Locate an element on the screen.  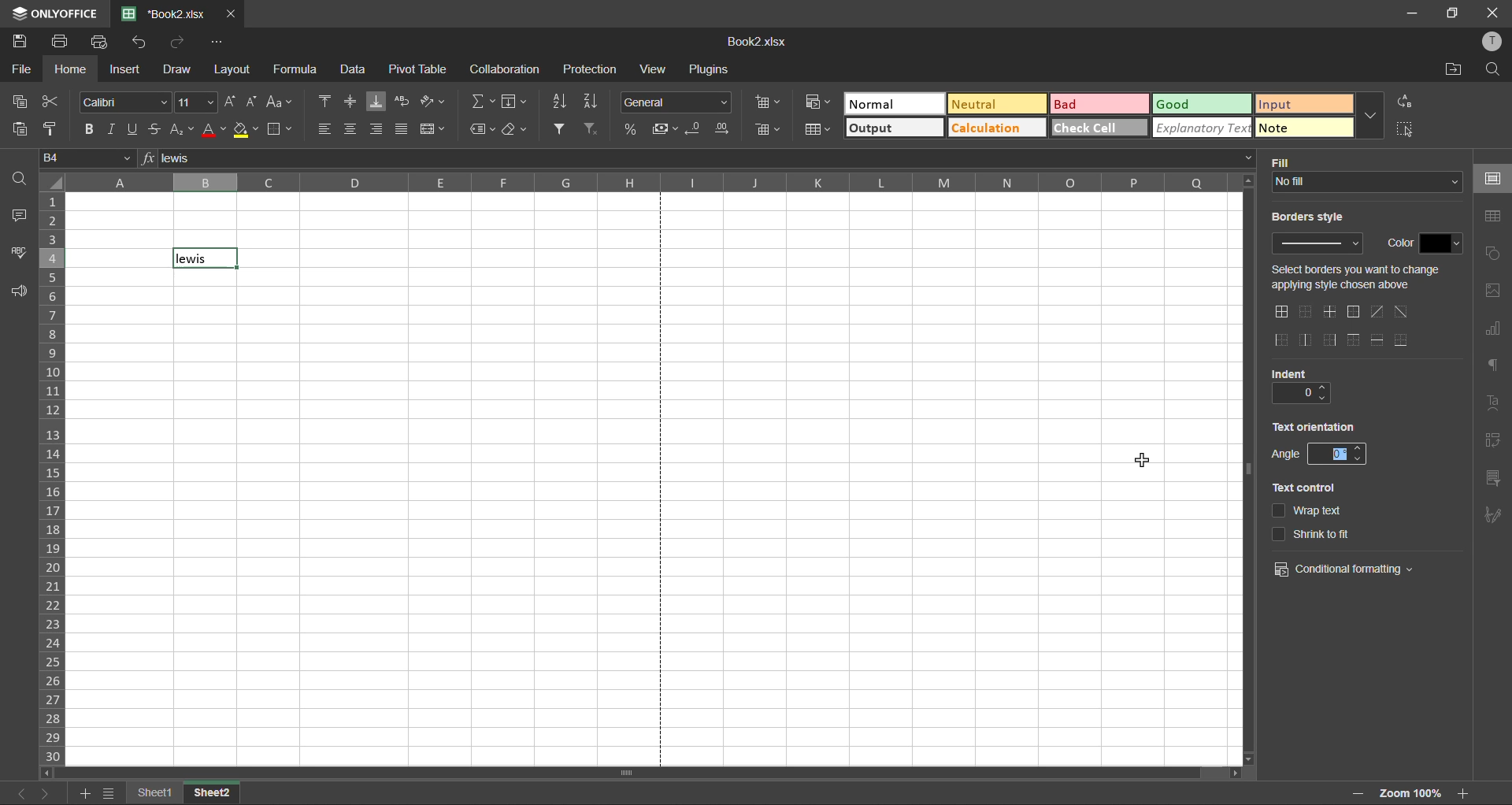
align left is located at coordinates (328, 128).